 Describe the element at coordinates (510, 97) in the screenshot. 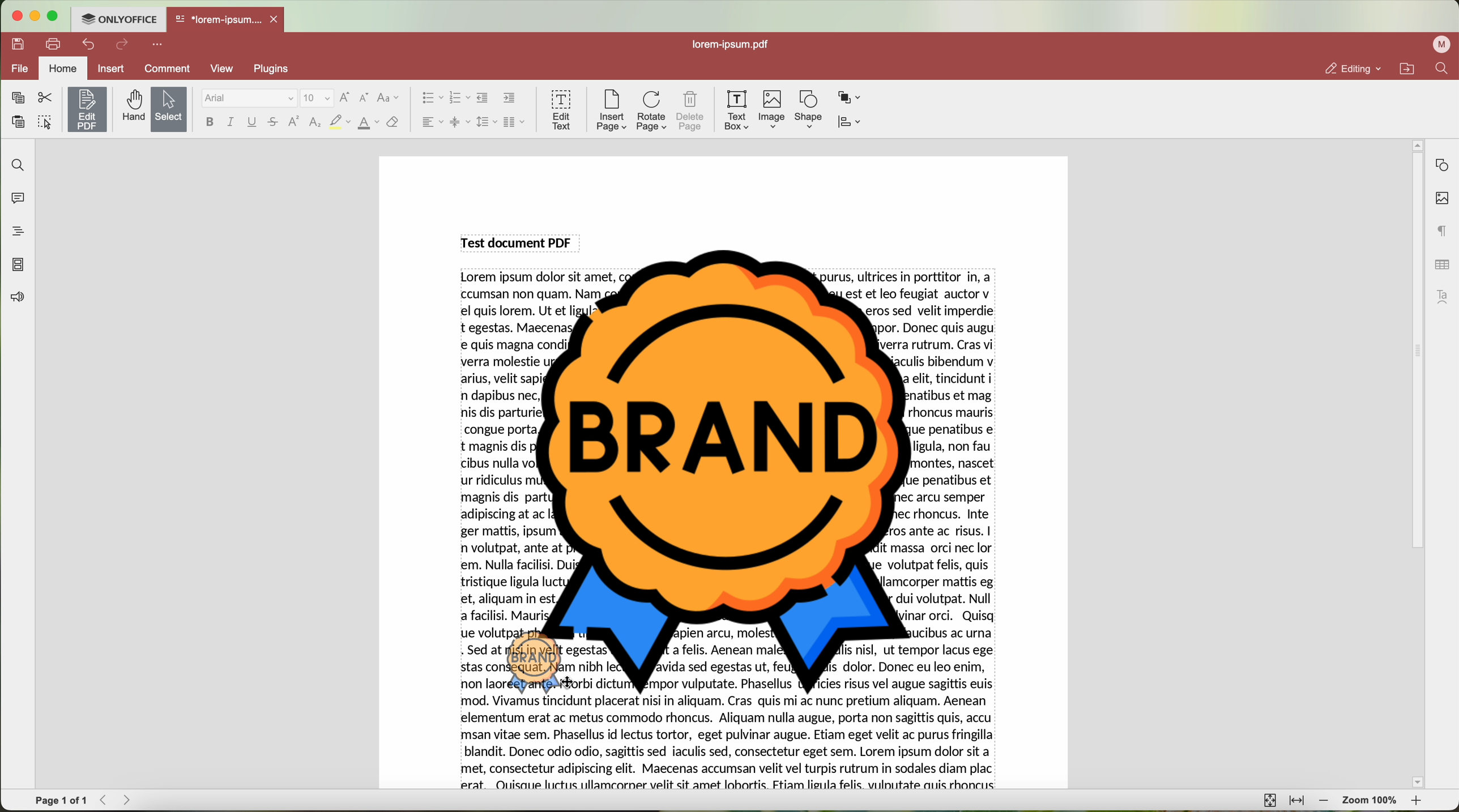

I see `increase indent` at that location.